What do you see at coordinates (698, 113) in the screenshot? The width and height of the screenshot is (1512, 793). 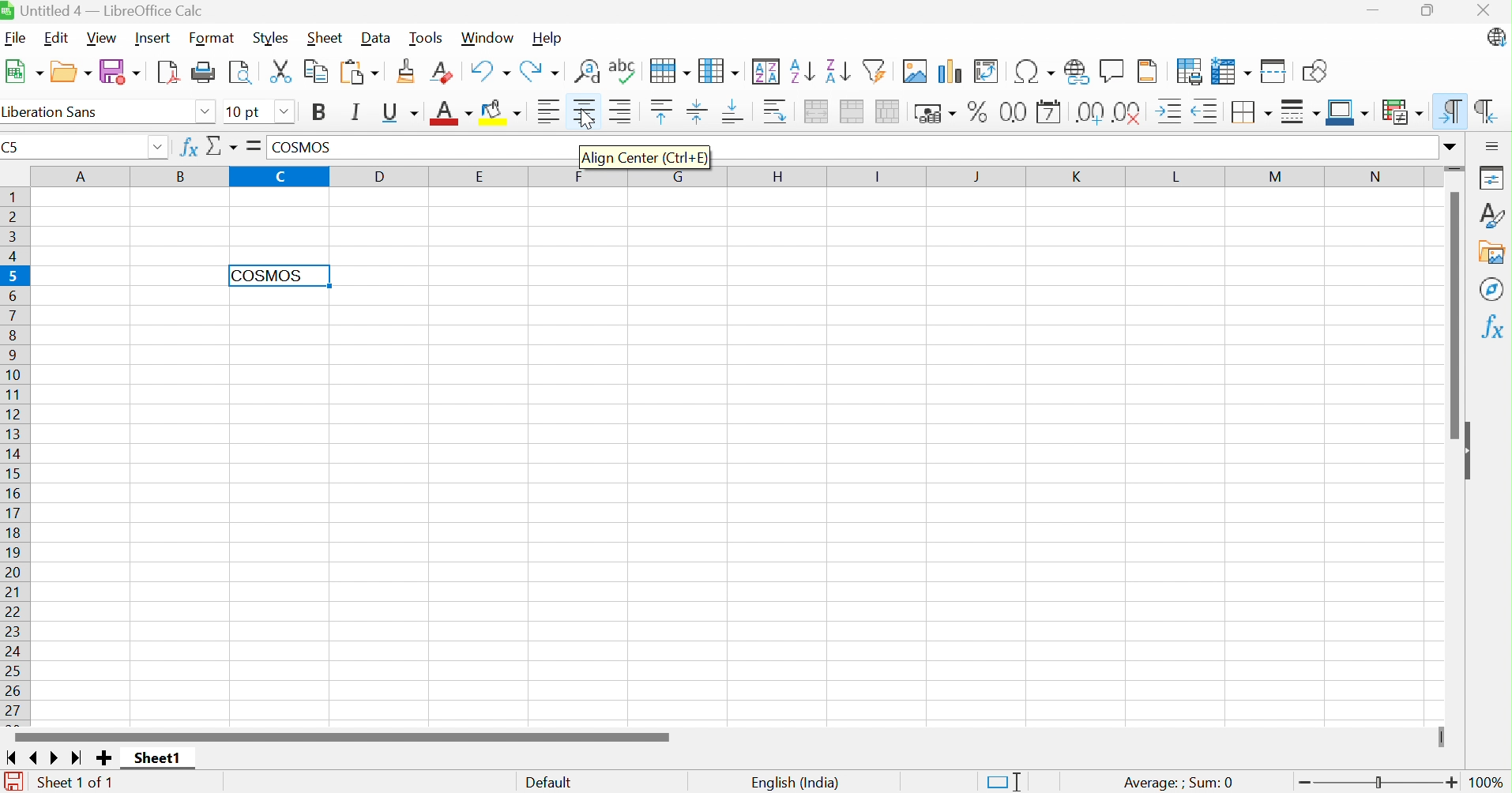 I see `Center Vertically` at bounding box center [698, 113].